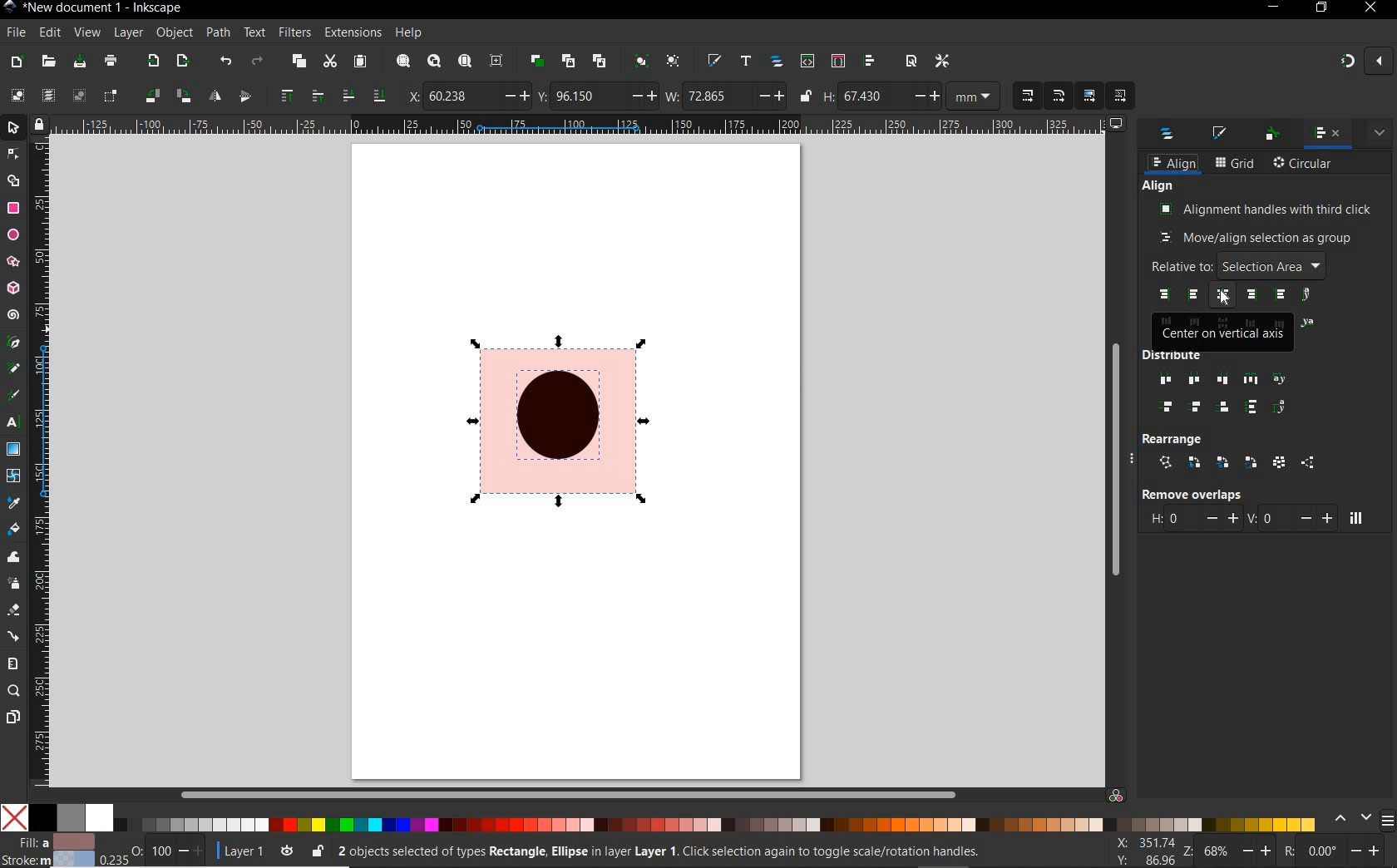 This screenshot has width=1397, height=868. What do you see at coordinates (153, 60) in the screenshot?
I see `export` at bounding box center [153, 60].